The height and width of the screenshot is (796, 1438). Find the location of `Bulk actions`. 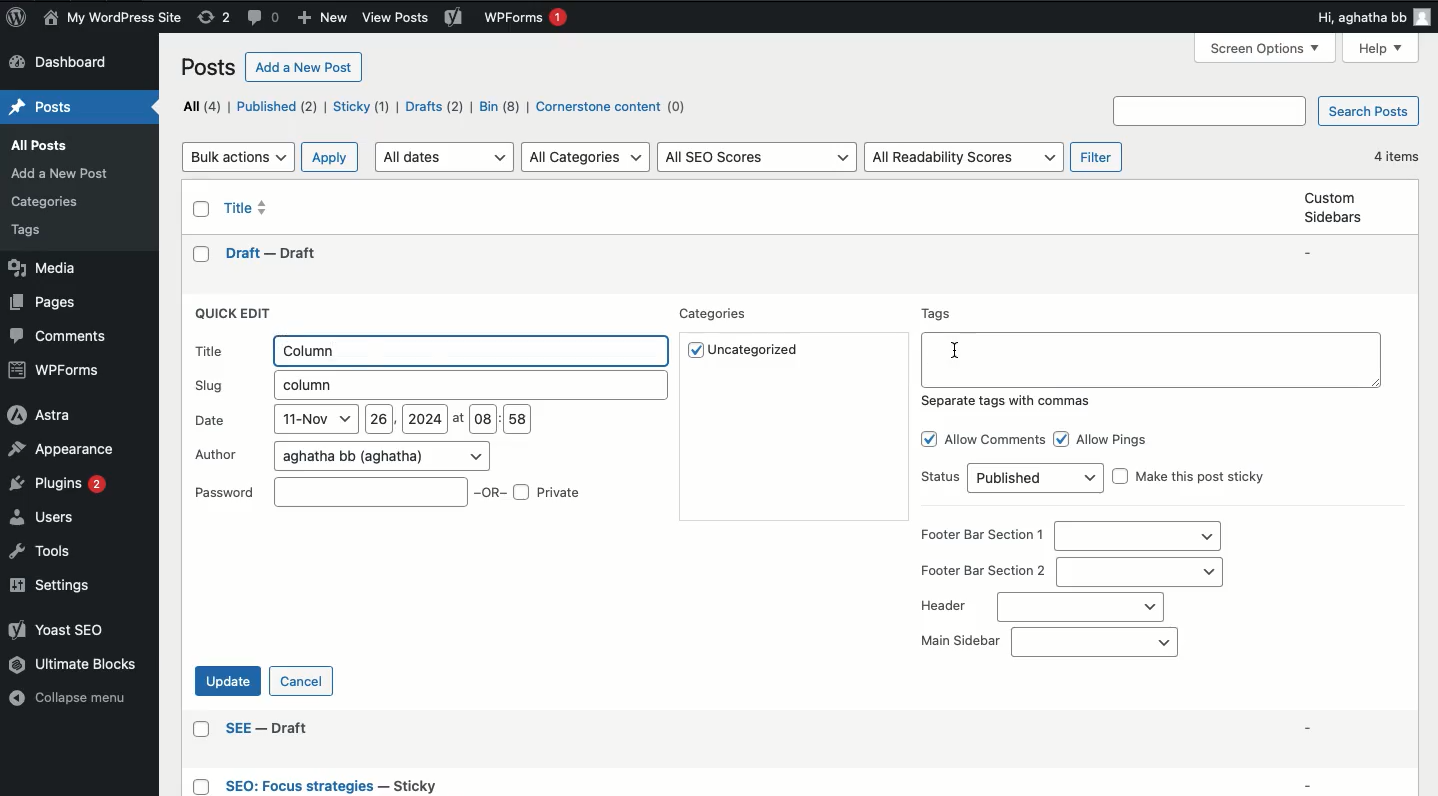

Bulk actions is located at coordinates (238, 156).